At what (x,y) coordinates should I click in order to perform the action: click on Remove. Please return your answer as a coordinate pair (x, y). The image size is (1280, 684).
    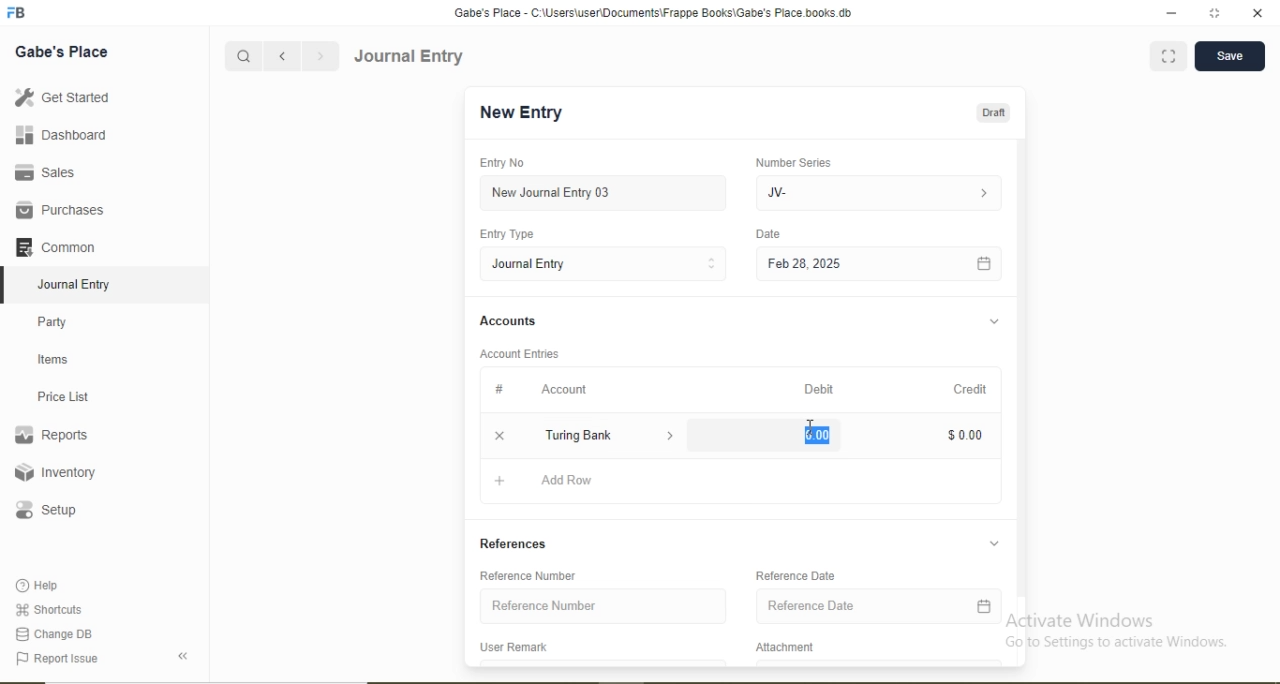
    Looking at the image, I should click on (499, 436).